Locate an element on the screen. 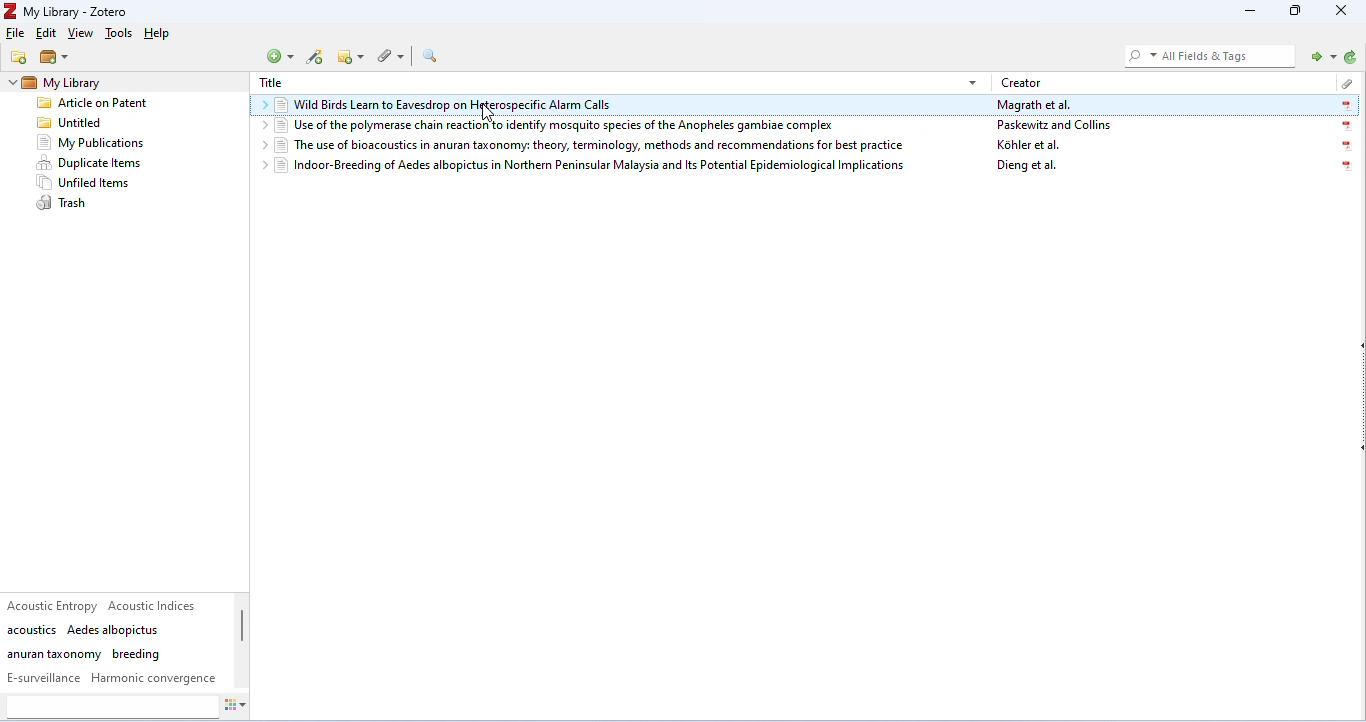 Image resolution: width=1366 pixels, height=722 pixels. Köhler et al. is located at coordinates (1030, 147).